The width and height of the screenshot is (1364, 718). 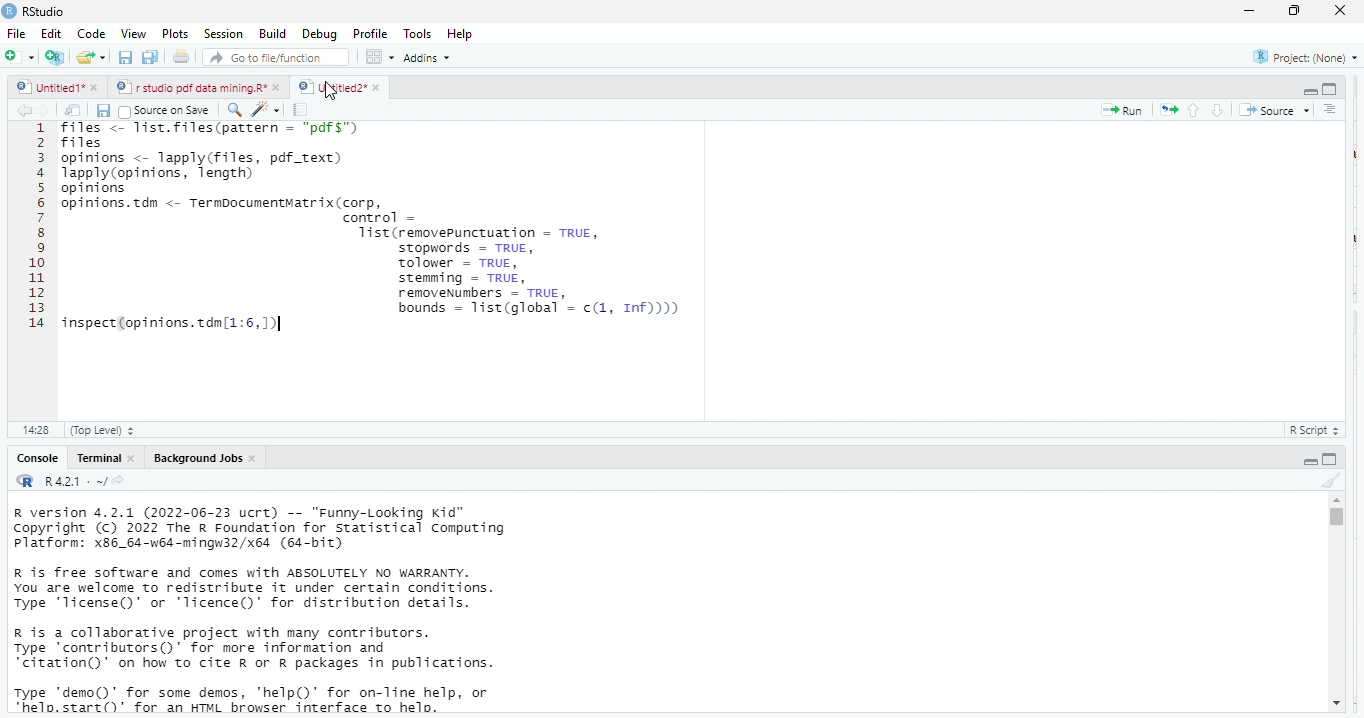 I want to click on profile, so click(x=370, y=32).